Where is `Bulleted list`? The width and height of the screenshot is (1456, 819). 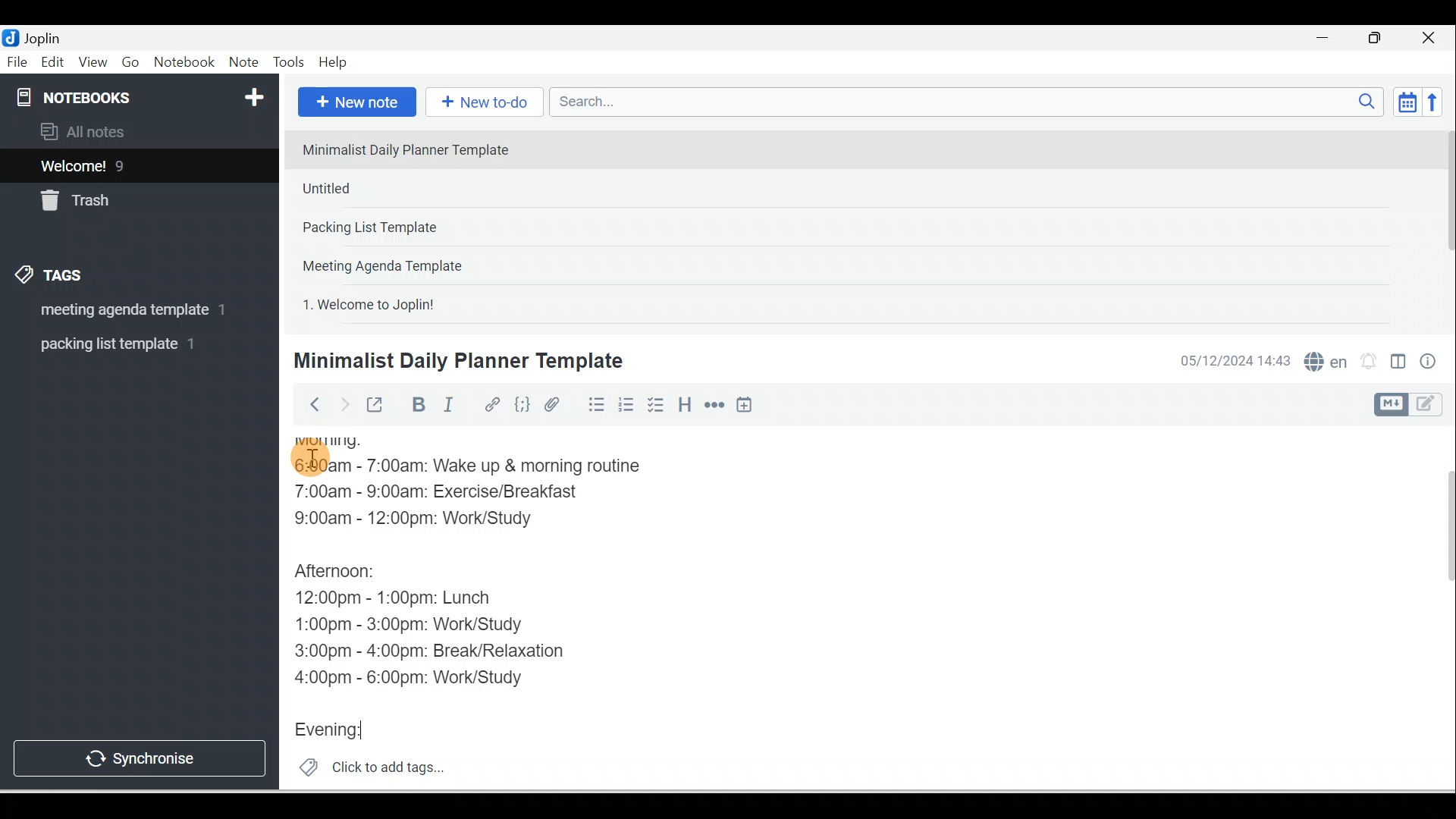 Bulleted list is located at coordinates (593, 404).